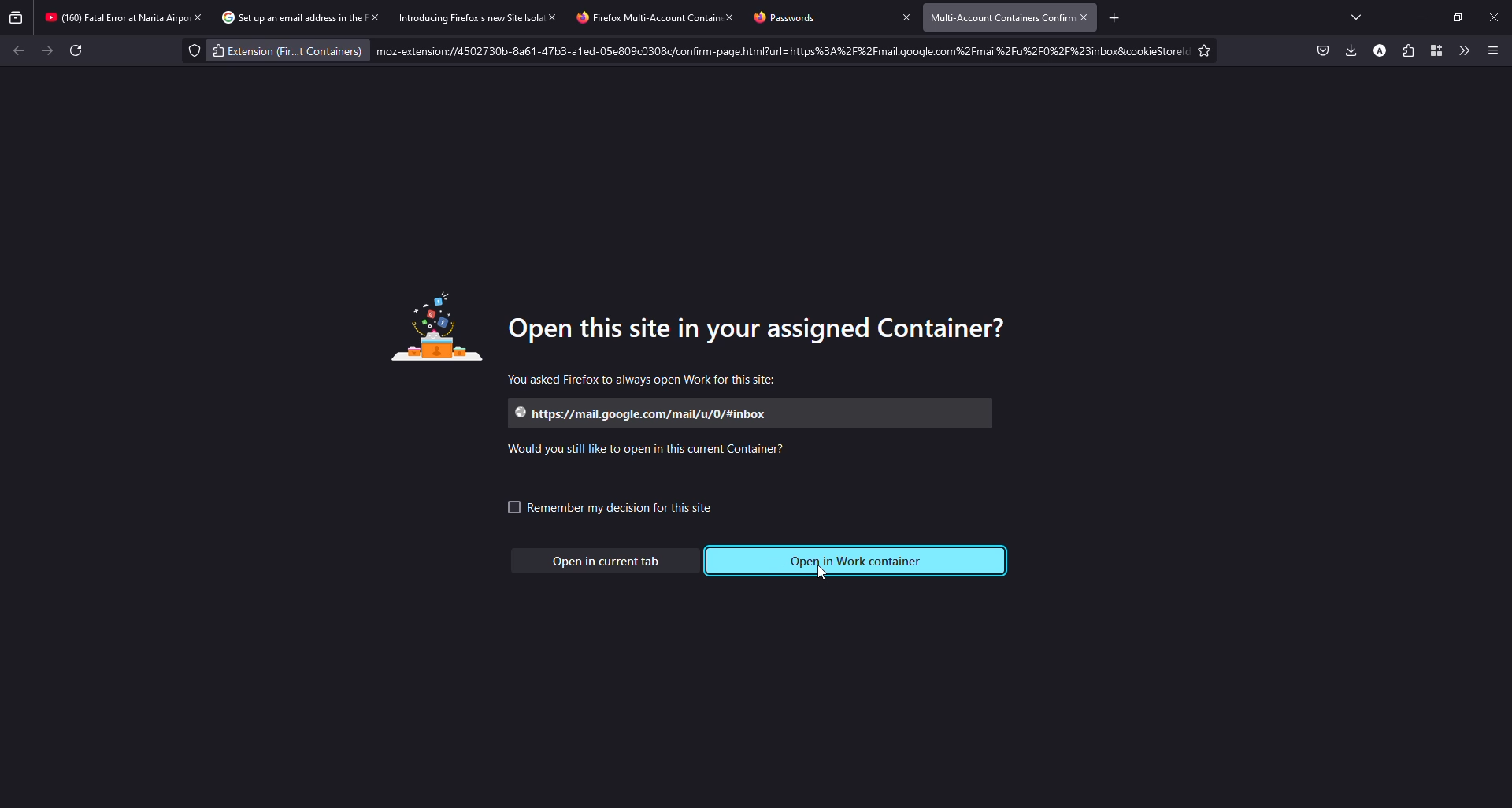  Describe the element at coordinates (728, 17) in the screenshot. I see `close` at that location.